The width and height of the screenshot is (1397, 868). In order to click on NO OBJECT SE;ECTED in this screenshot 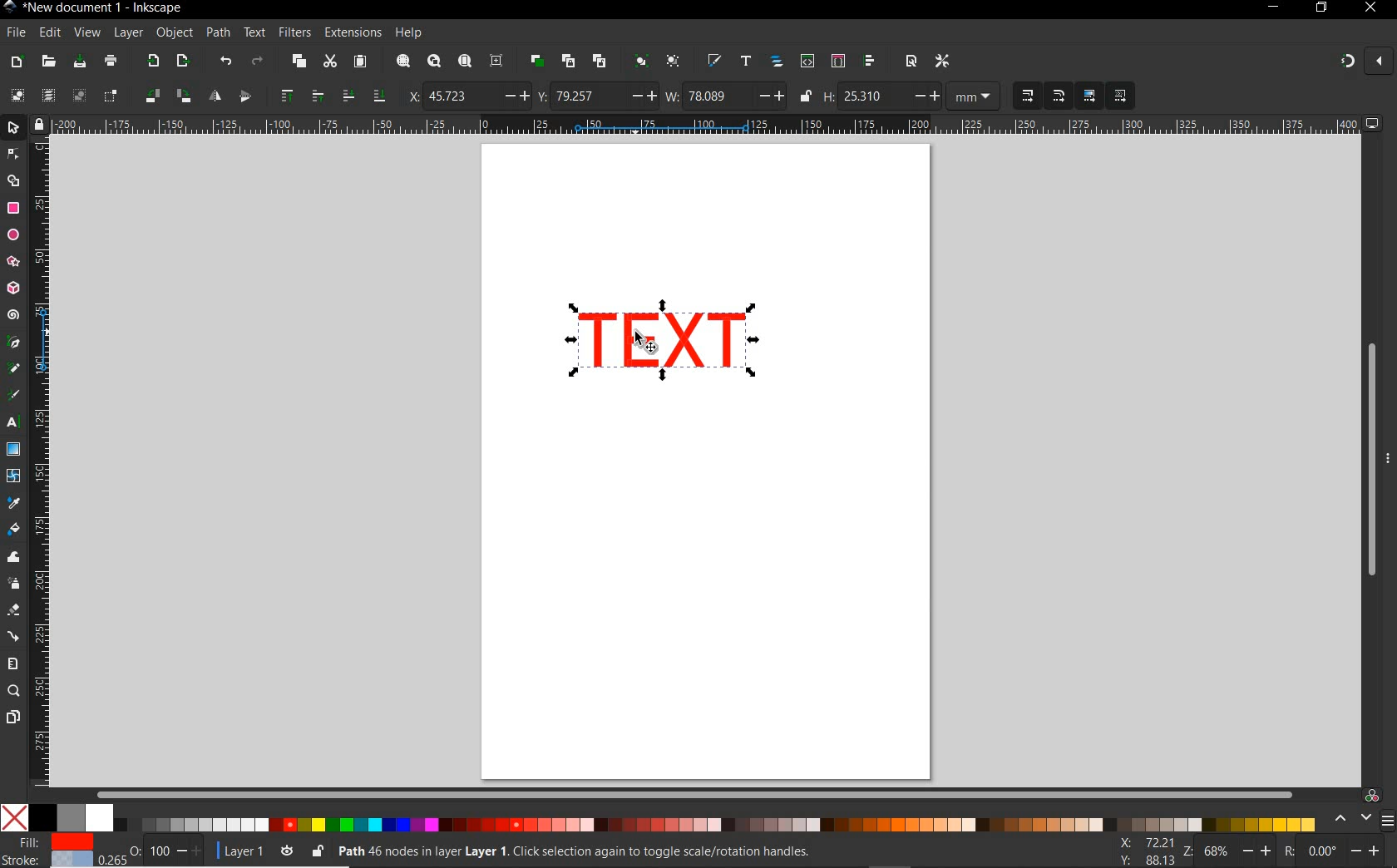, I will do `click(633, 854)`.